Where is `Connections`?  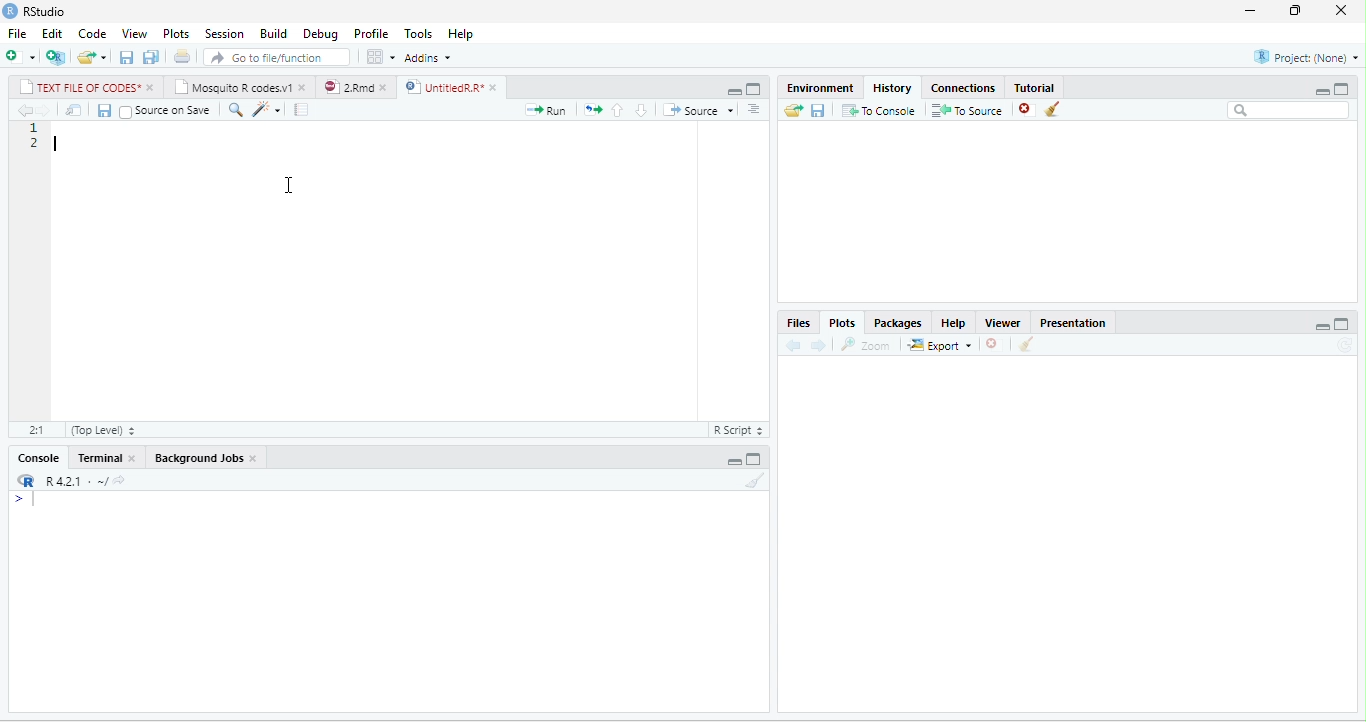 Connections is located at coordinates (963, 88).